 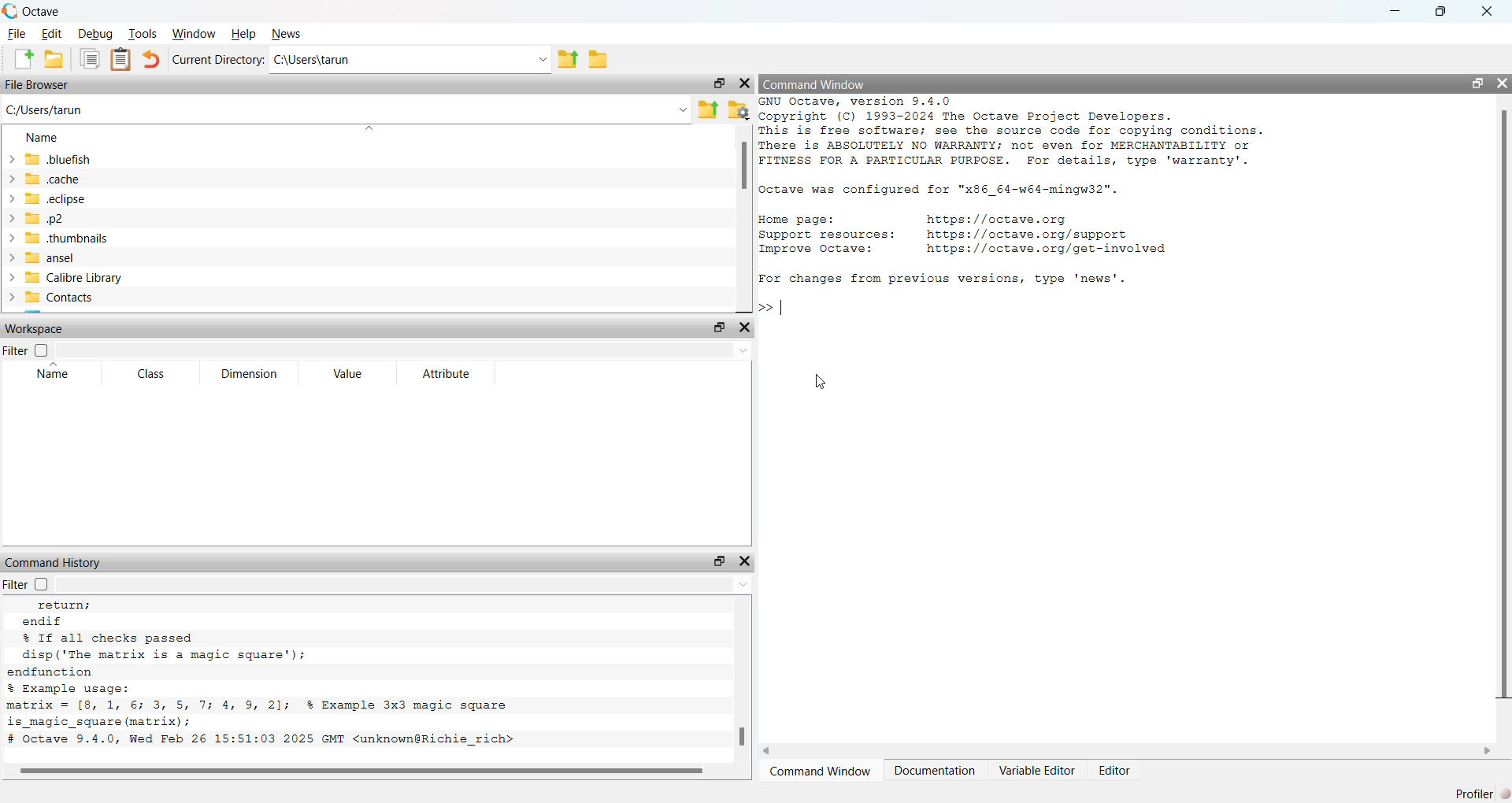 I want to click on Octave, so click(x=43, y=12).